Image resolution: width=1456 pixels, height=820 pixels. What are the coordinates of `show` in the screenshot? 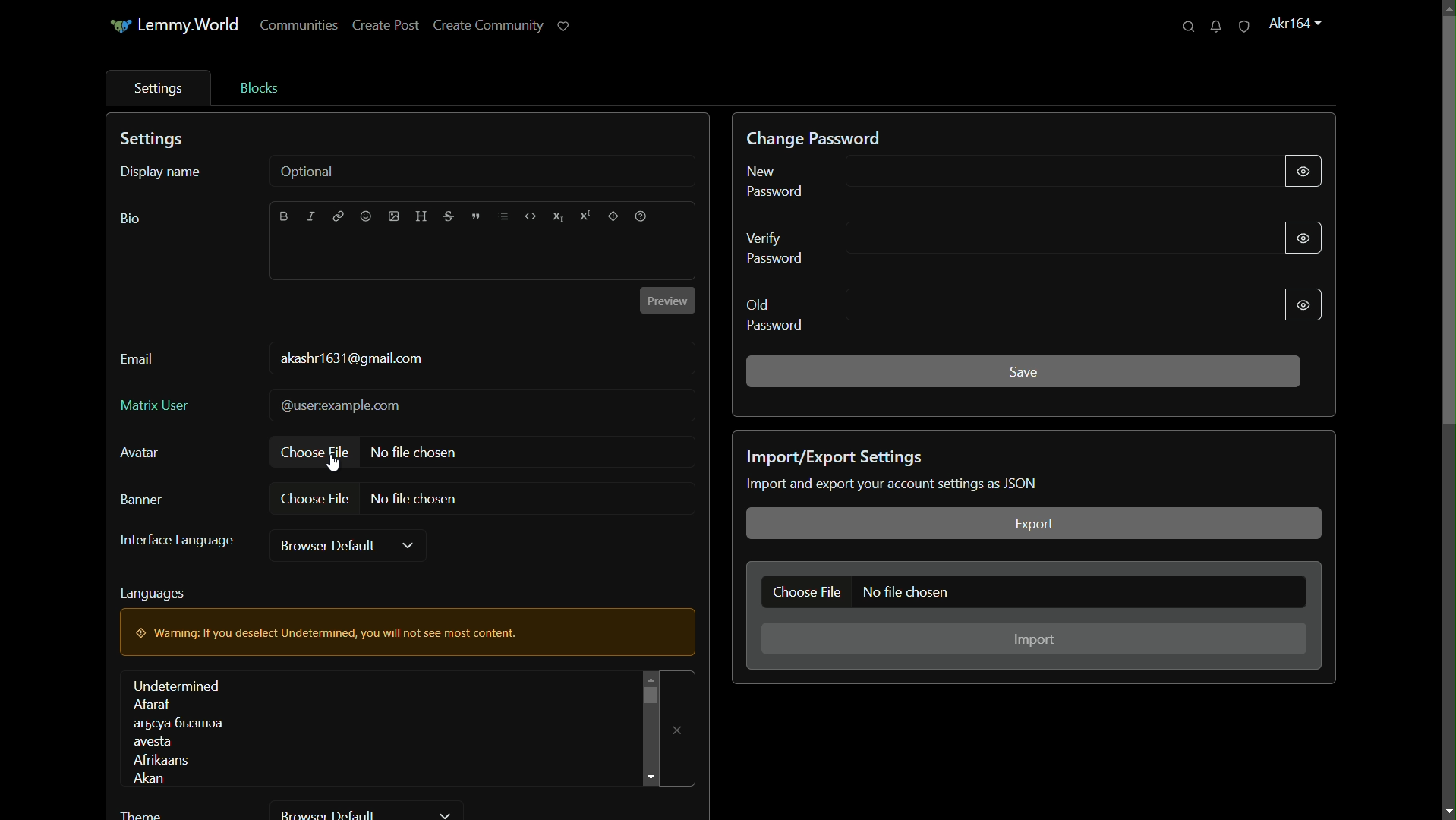 It's located at (1303, 236).